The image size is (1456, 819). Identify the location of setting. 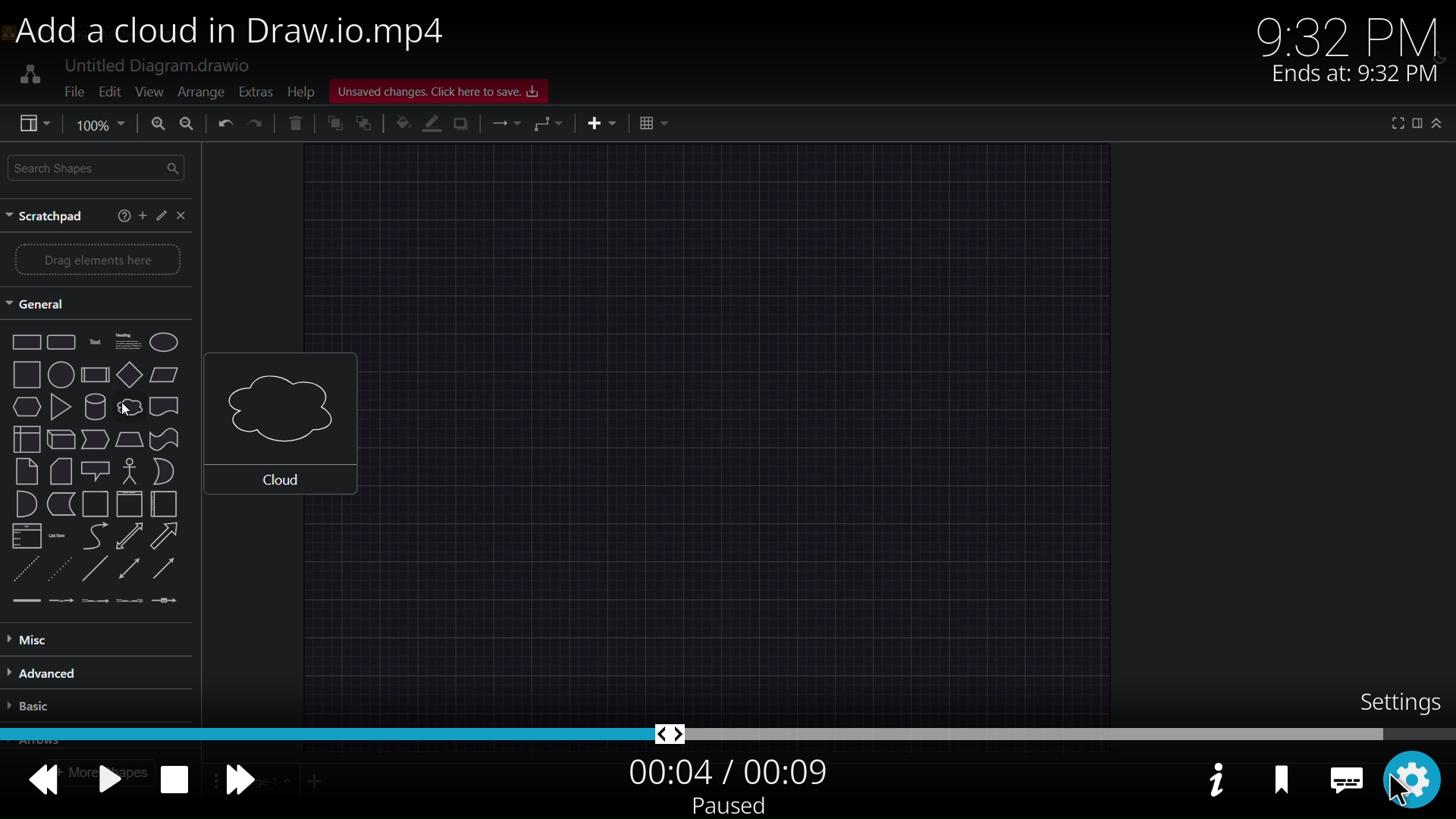
(1397, 698).